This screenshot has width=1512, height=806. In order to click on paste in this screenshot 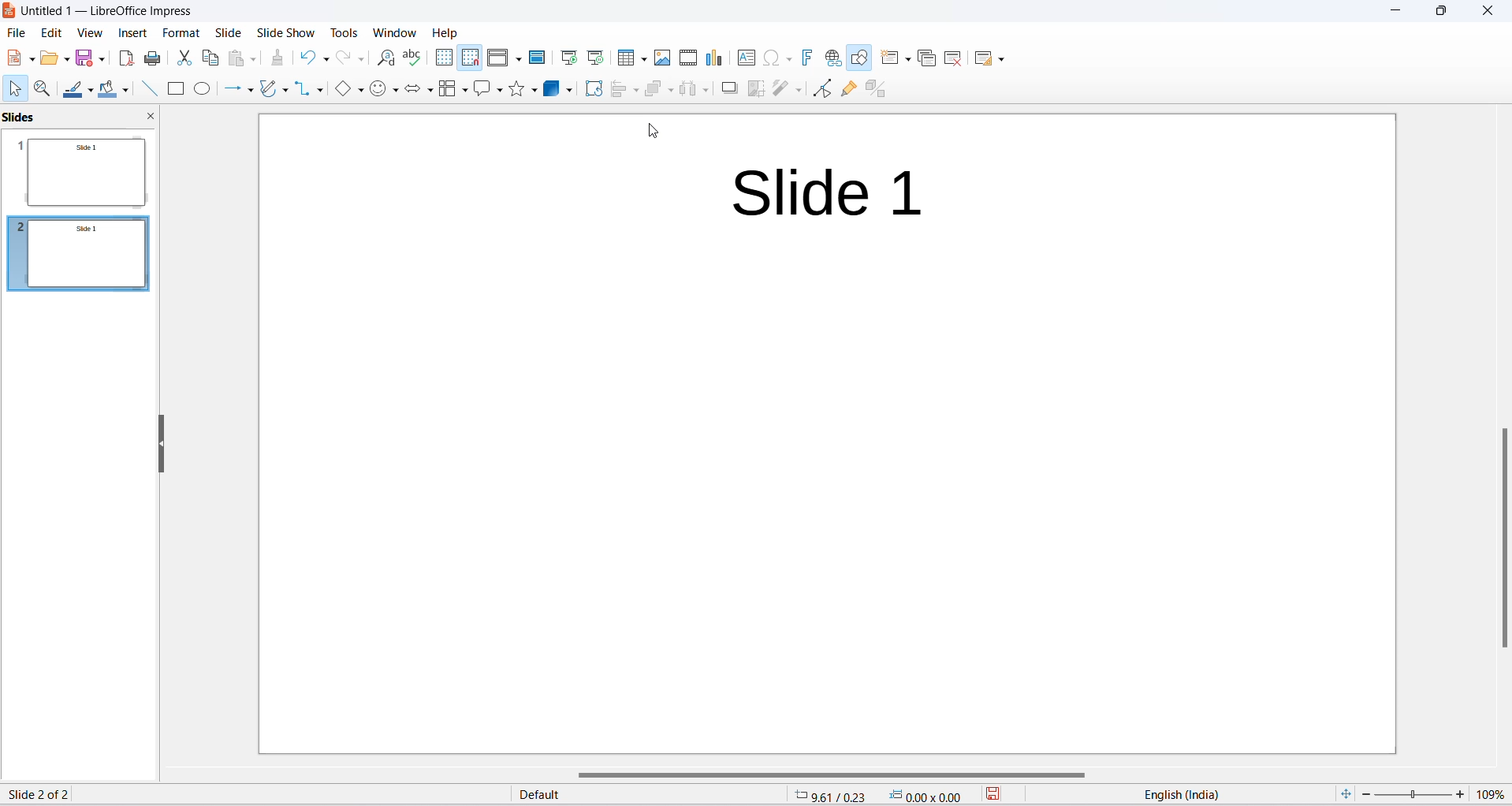, I will do `click(243, 61)`.